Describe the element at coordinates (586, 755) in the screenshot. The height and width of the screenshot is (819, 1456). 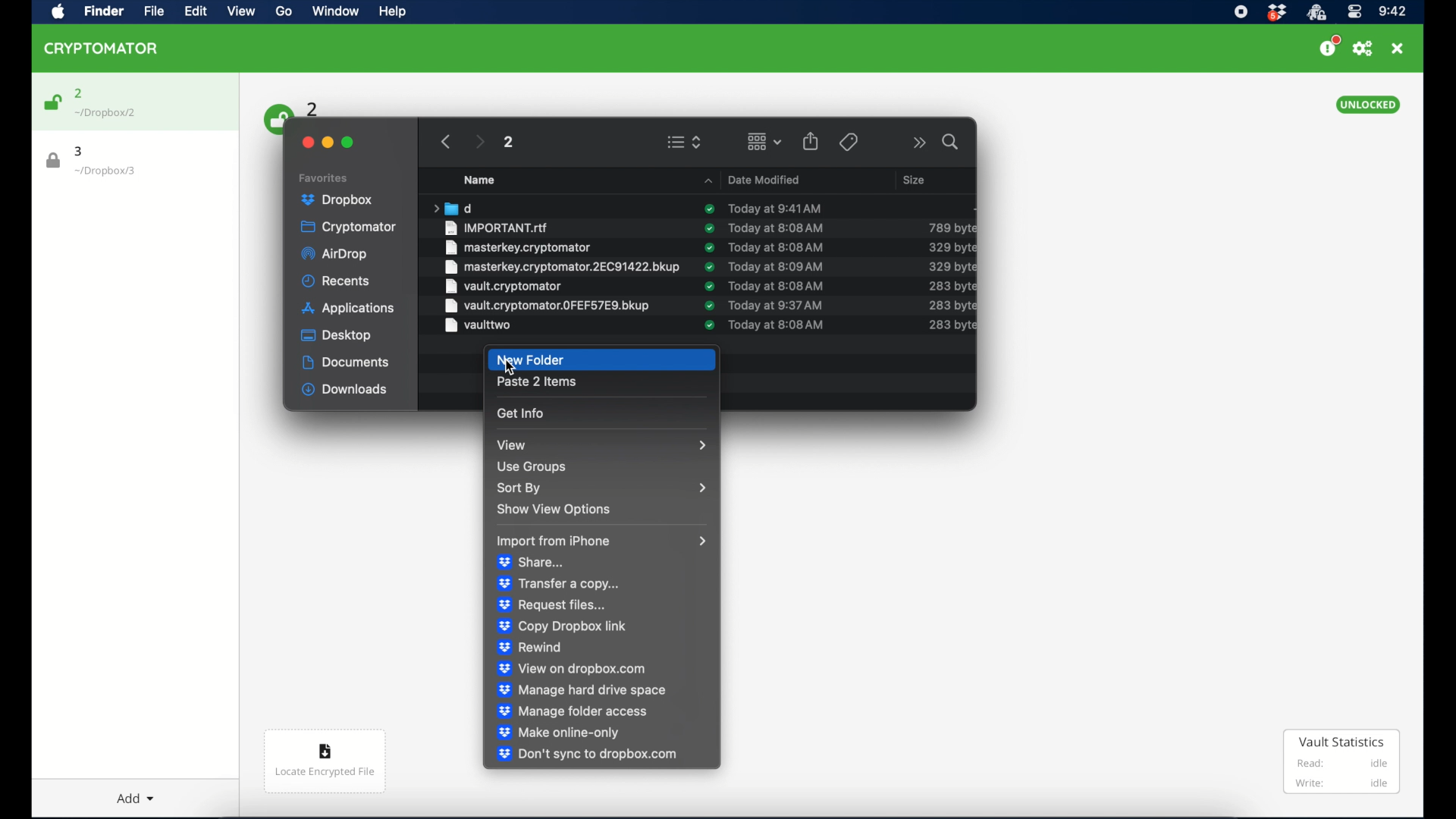
I see `don't sync` at that location.